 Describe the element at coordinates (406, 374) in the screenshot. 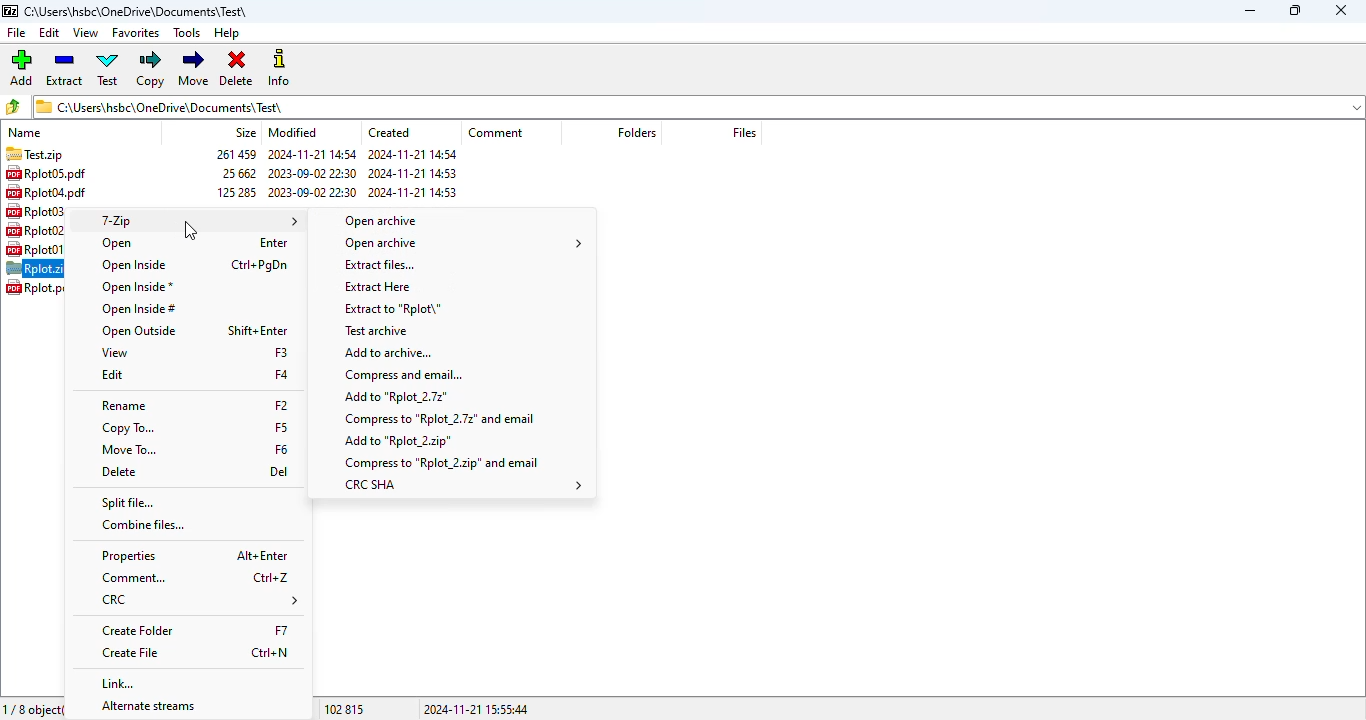

I see `compress and email` at that location.